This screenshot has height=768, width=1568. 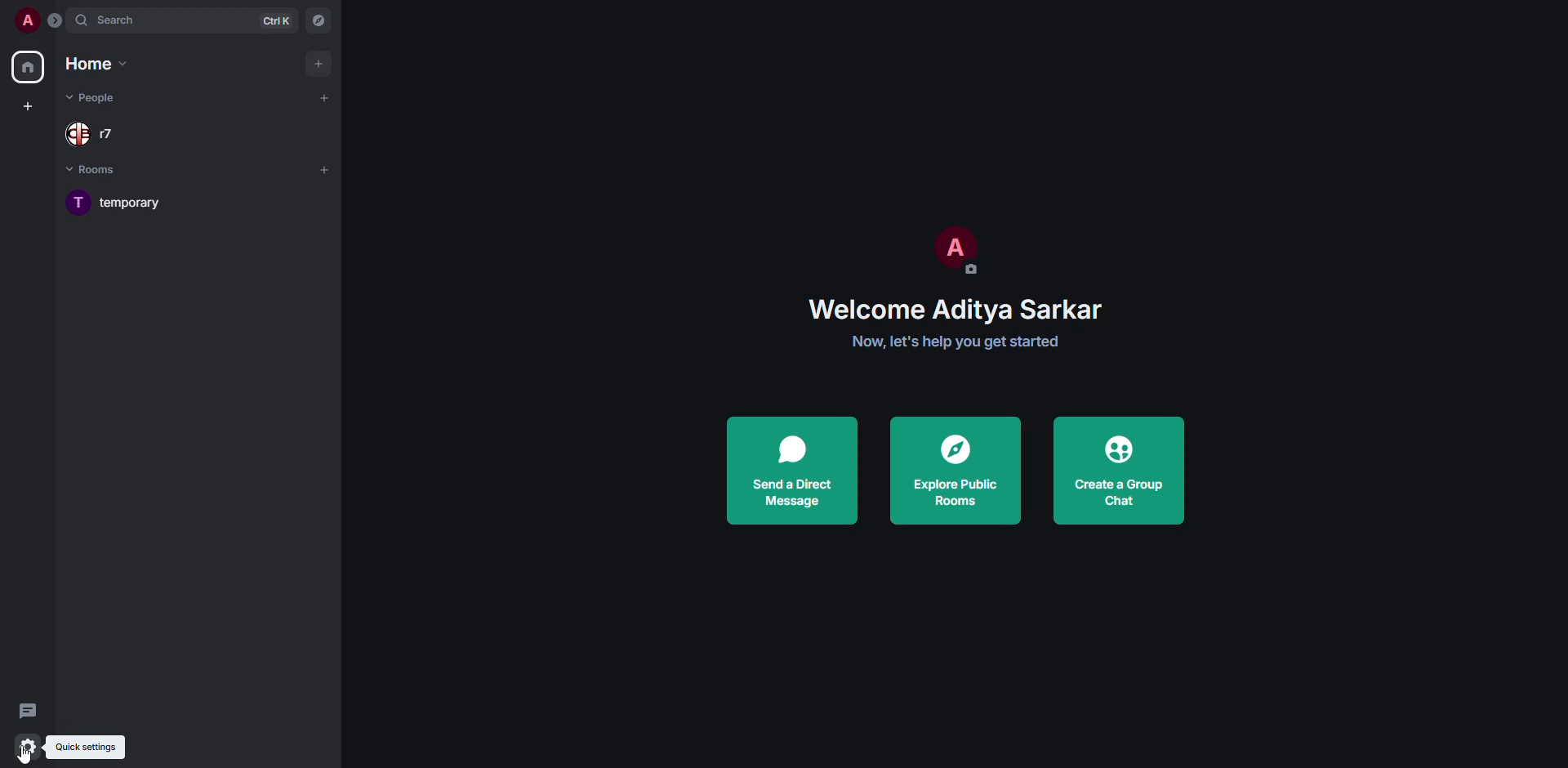 I want to click on quick settings, so click(x=100, y=746).